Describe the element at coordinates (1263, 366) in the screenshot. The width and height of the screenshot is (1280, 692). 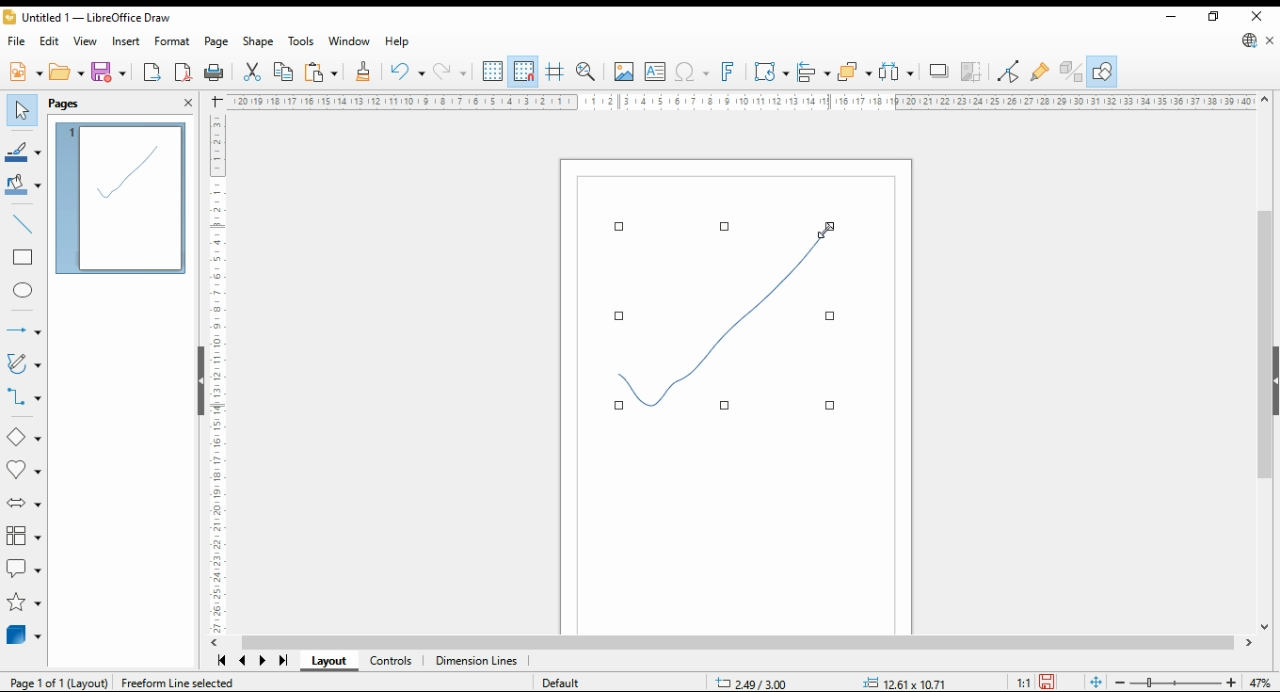
I see `scroll bar` at that location.